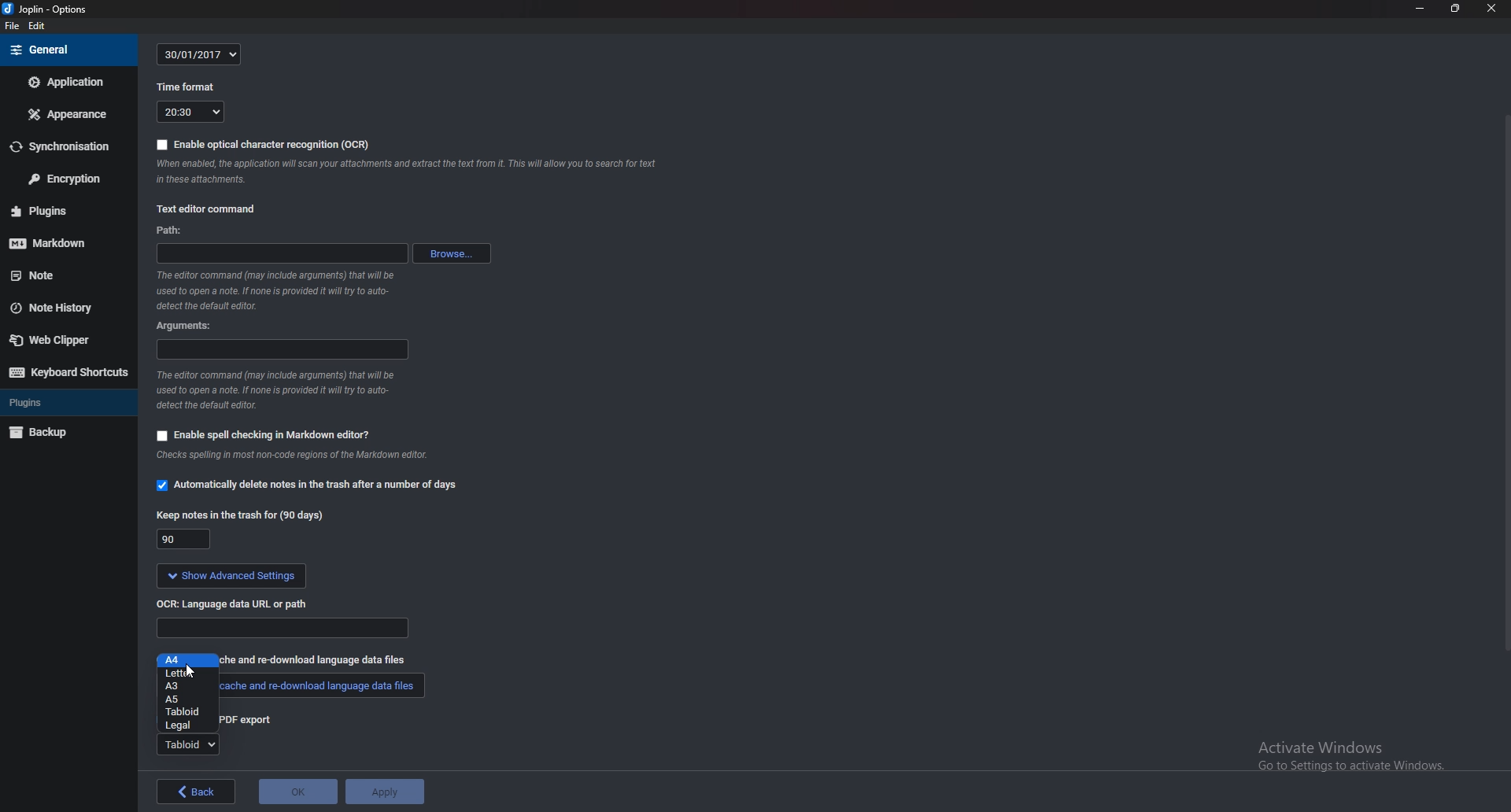 The image size is (1511, 812). What do you see at coordinates (298, 455) in the screenshot?
I see `info` at bounding box center [298, 455].